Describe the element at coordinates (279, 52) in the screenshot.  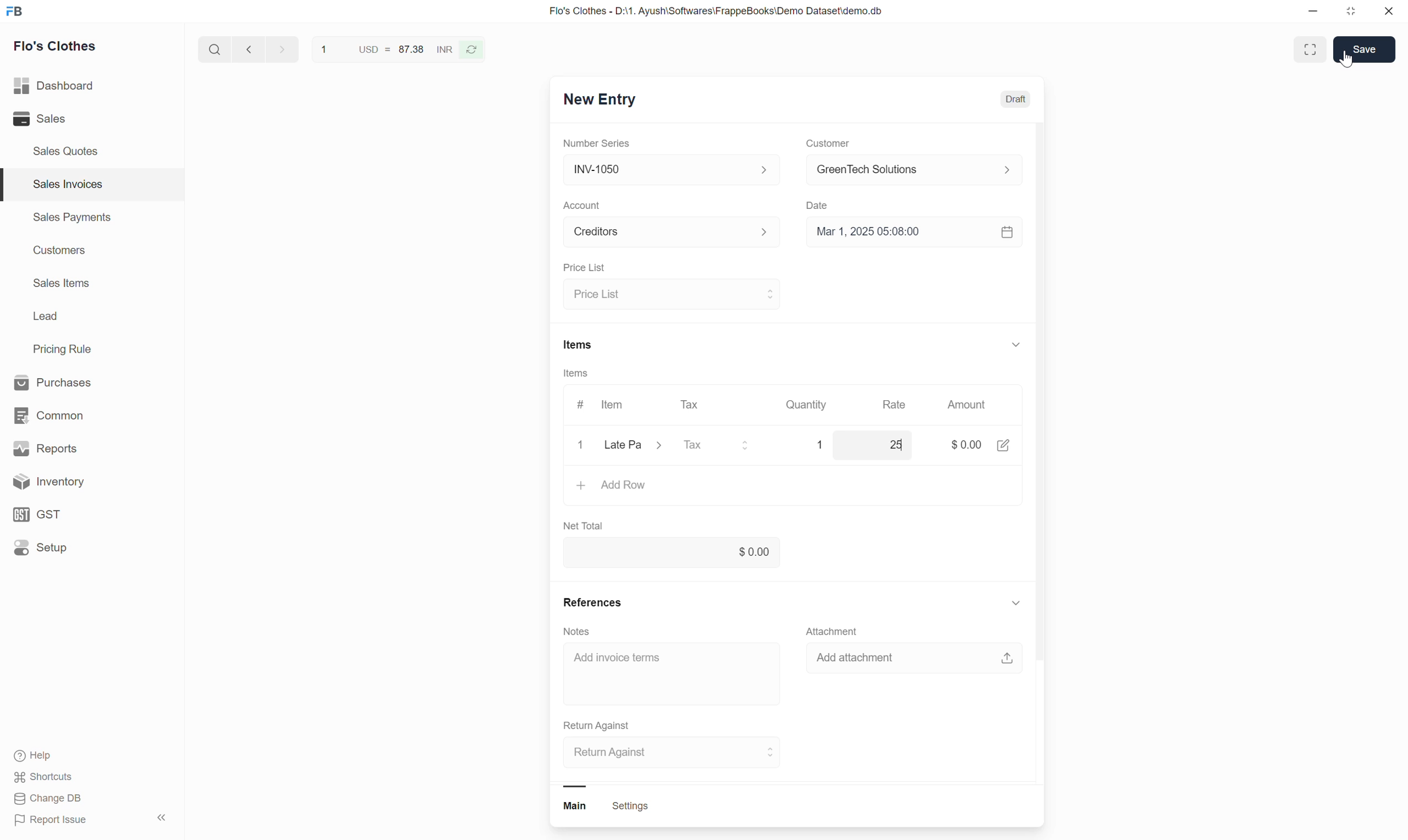
I see `go forward ` at that location.